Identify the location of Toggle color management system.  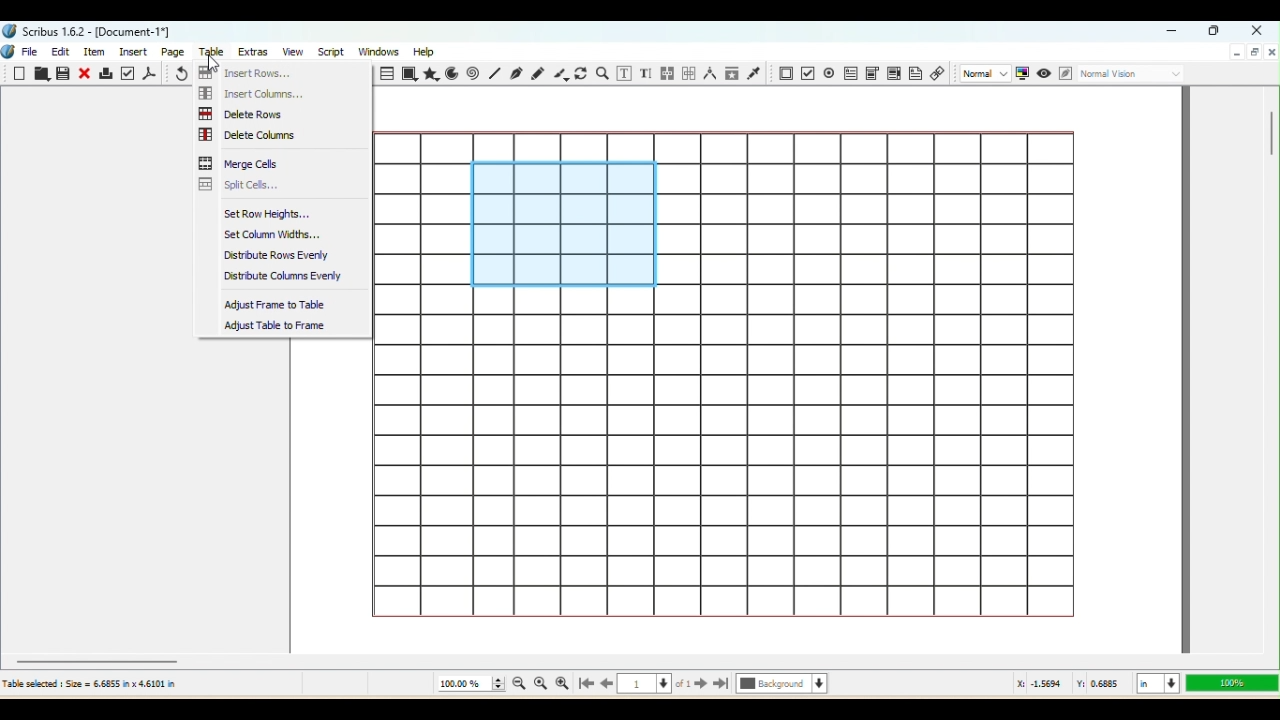
(1022, 74).